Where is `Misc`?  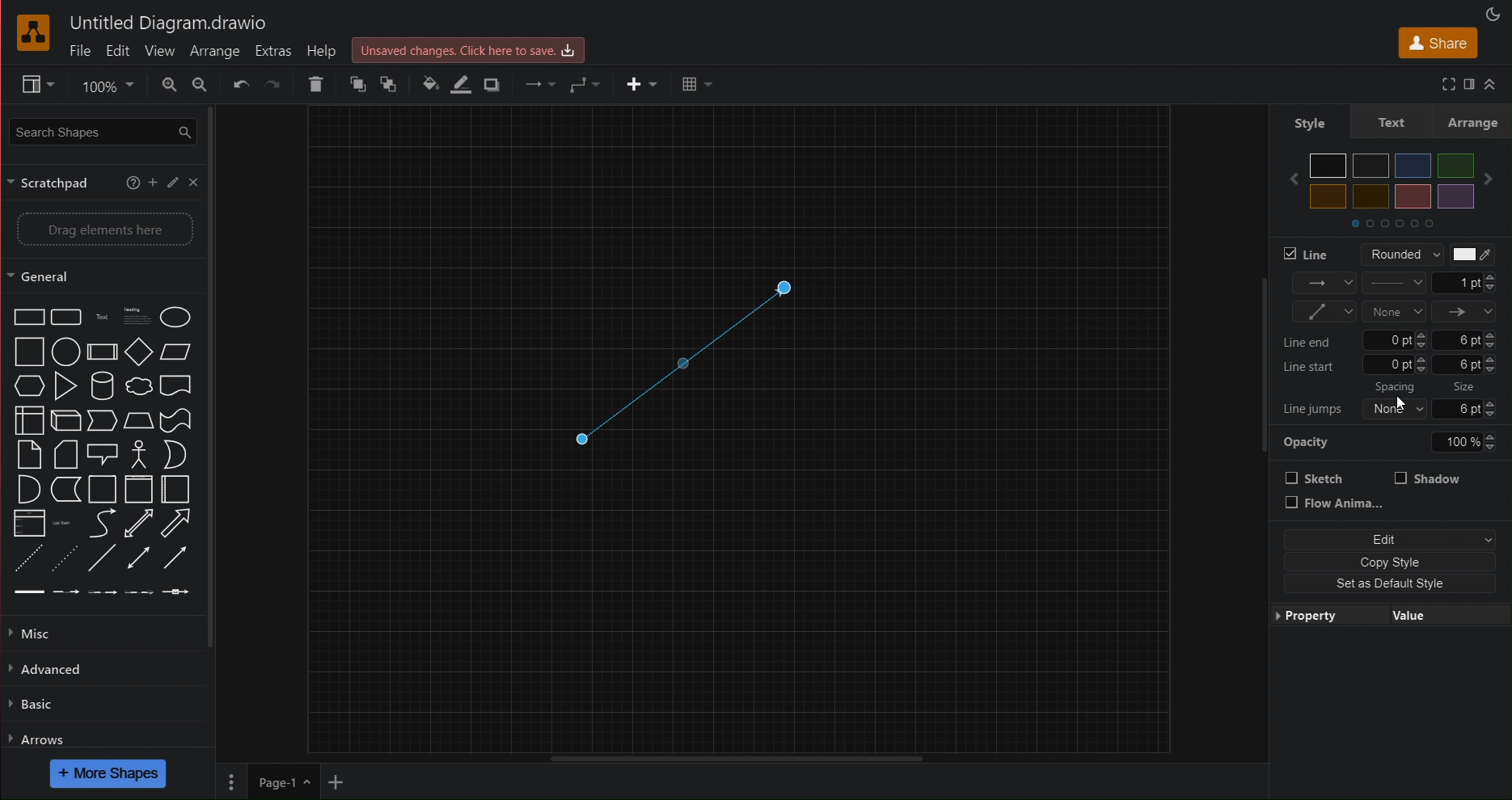
Misc is located at coordinates (37, 633).